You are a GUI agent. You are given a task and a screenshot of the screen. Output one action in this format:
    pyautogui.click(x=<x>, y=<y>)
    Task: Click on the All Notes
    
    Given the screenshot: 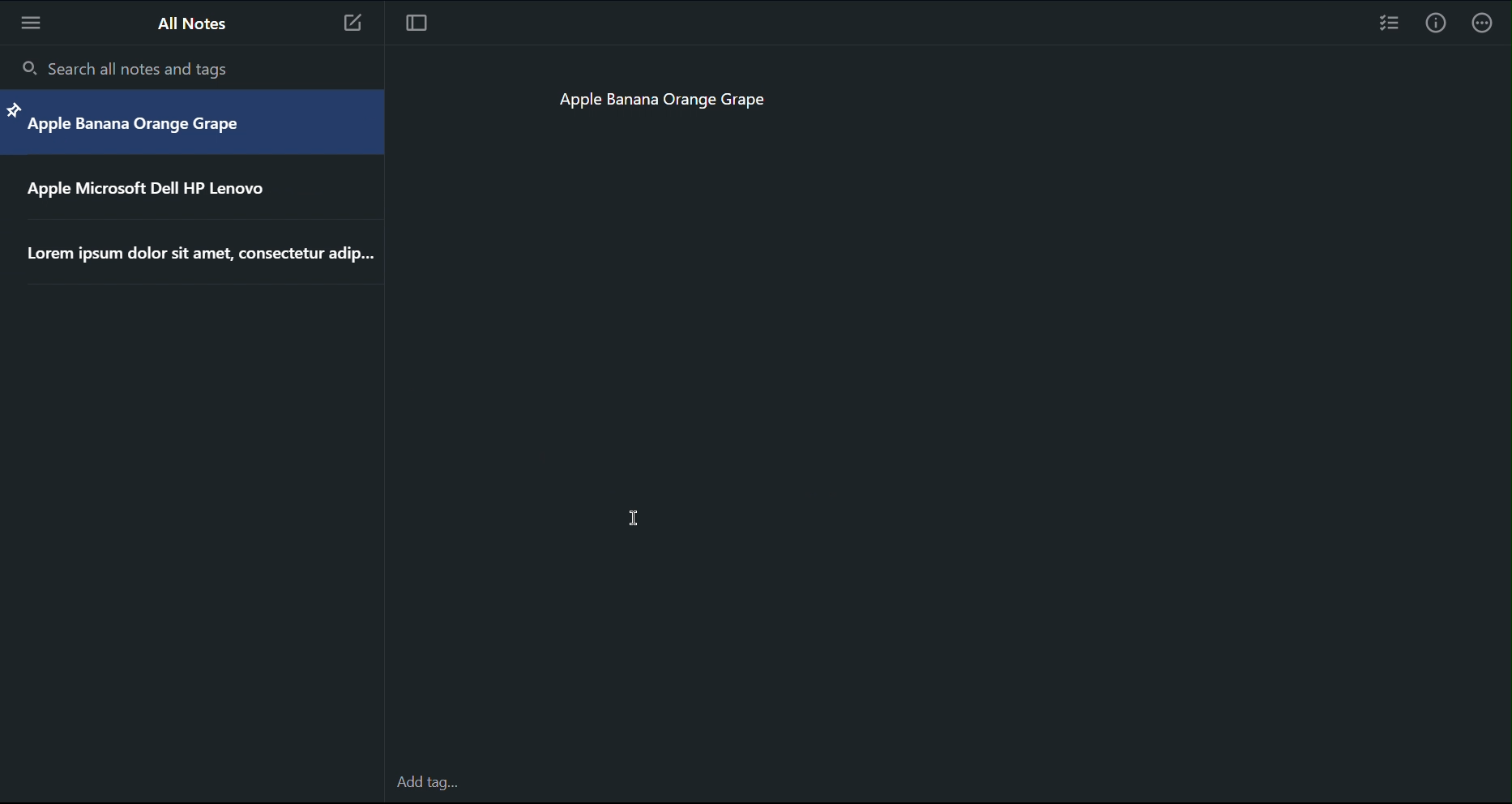 What is the action you would take?
    pyautogui.click(x=194, y=27)
    